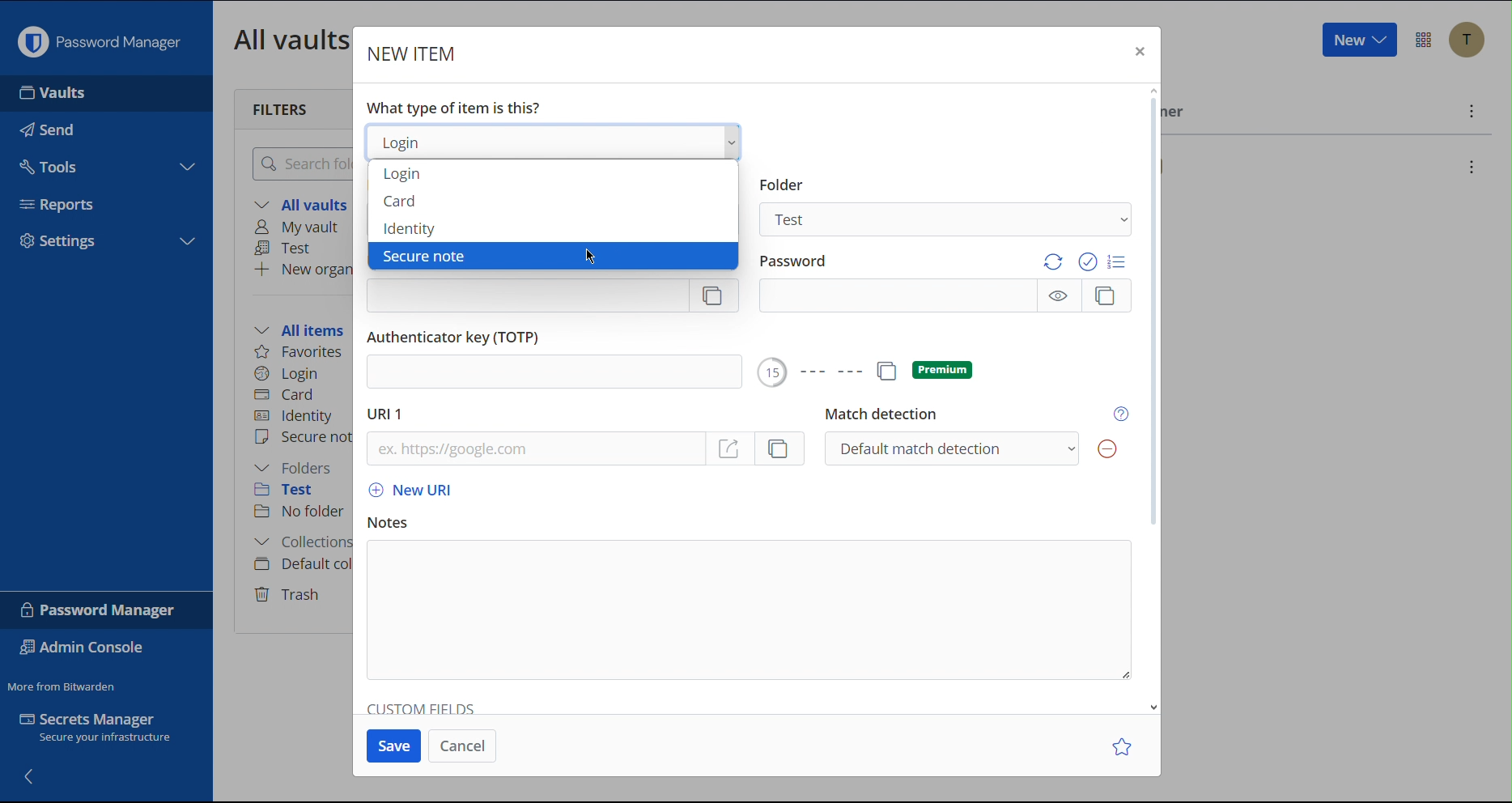  What do you see at coordinates (457, 336) in the screenshot?
I see `Authenticator Key` at bounding box center [457, 336].